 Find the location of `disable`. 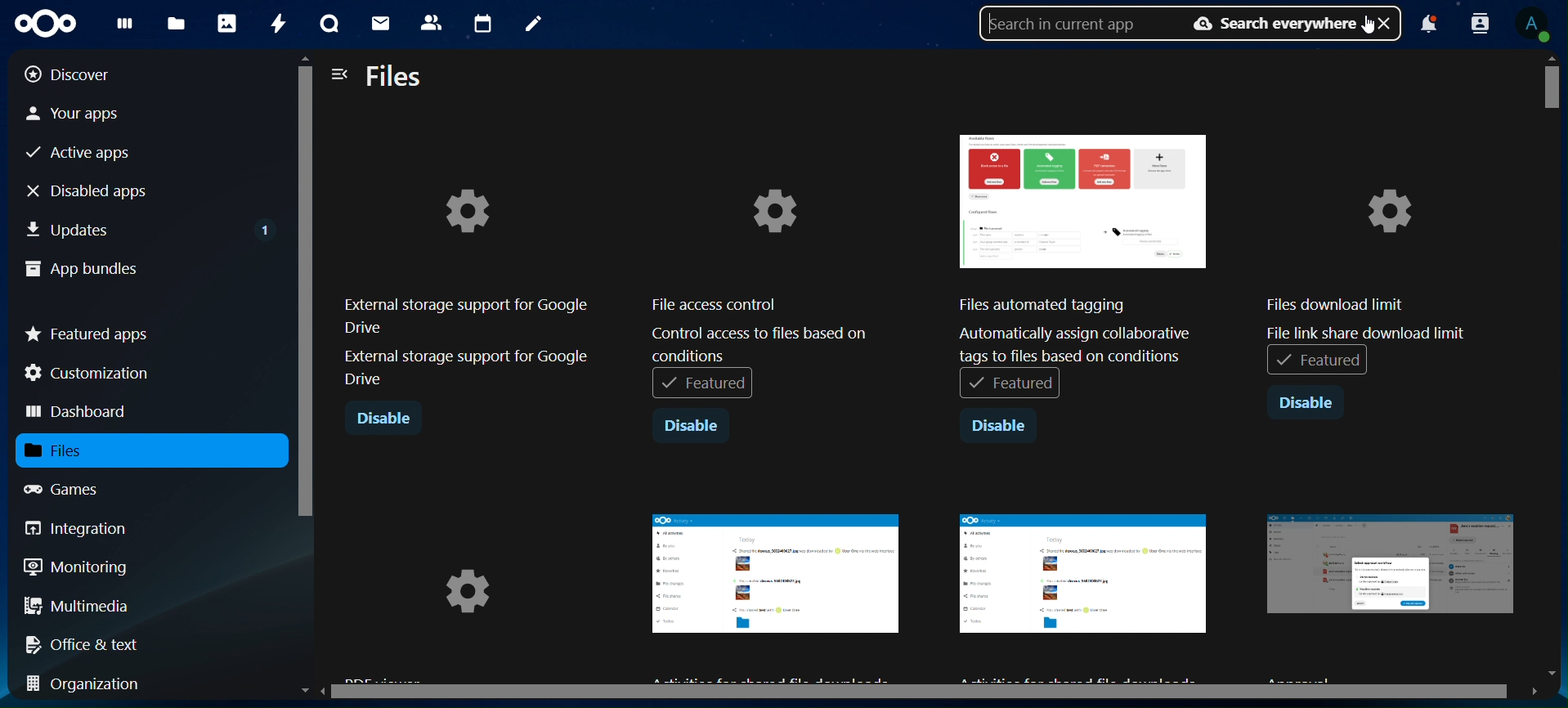

disable is located at coordinates (386, 421).